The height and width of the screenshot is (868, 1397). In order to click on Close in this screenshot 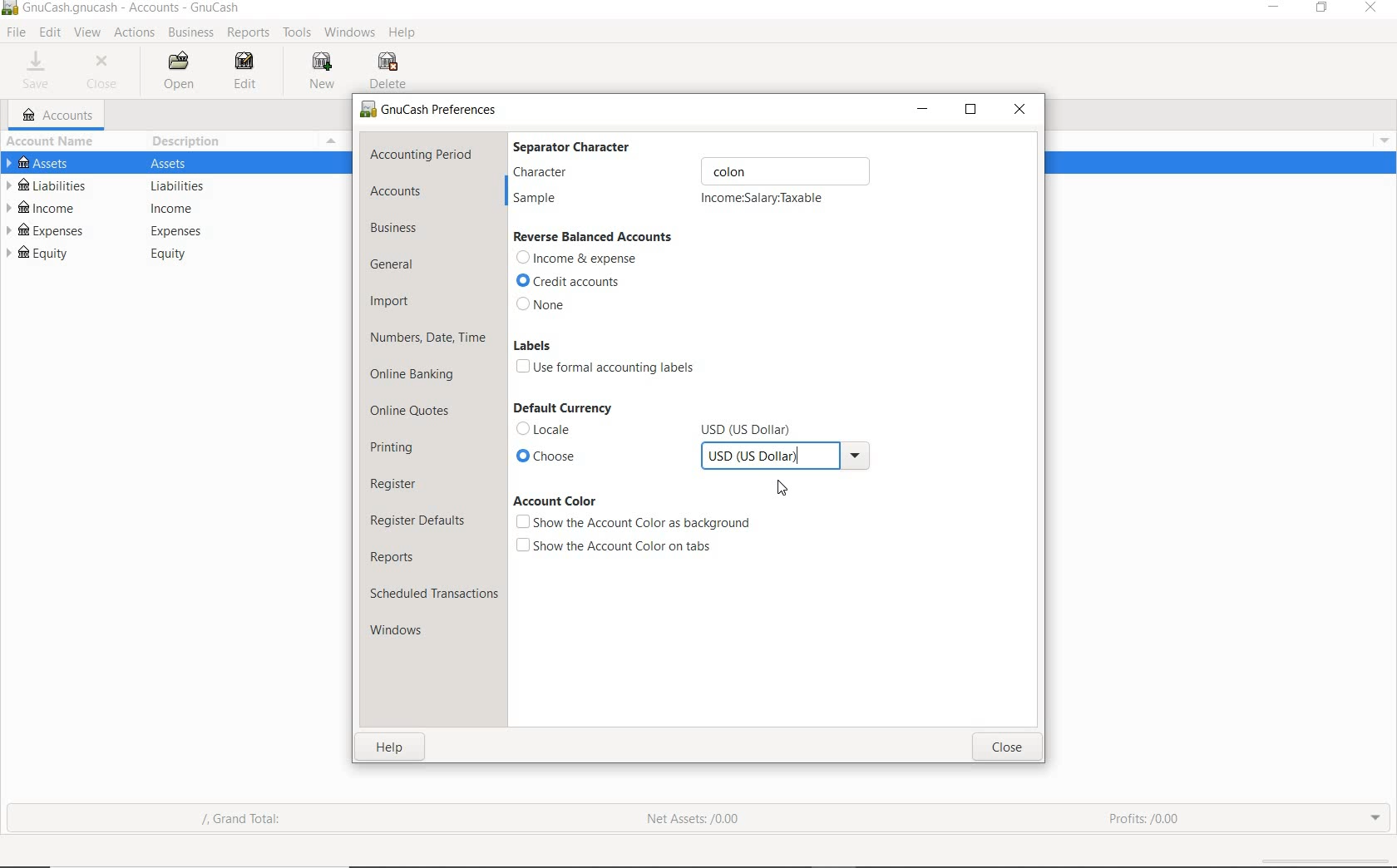, I will do `click(1370, 11)`.